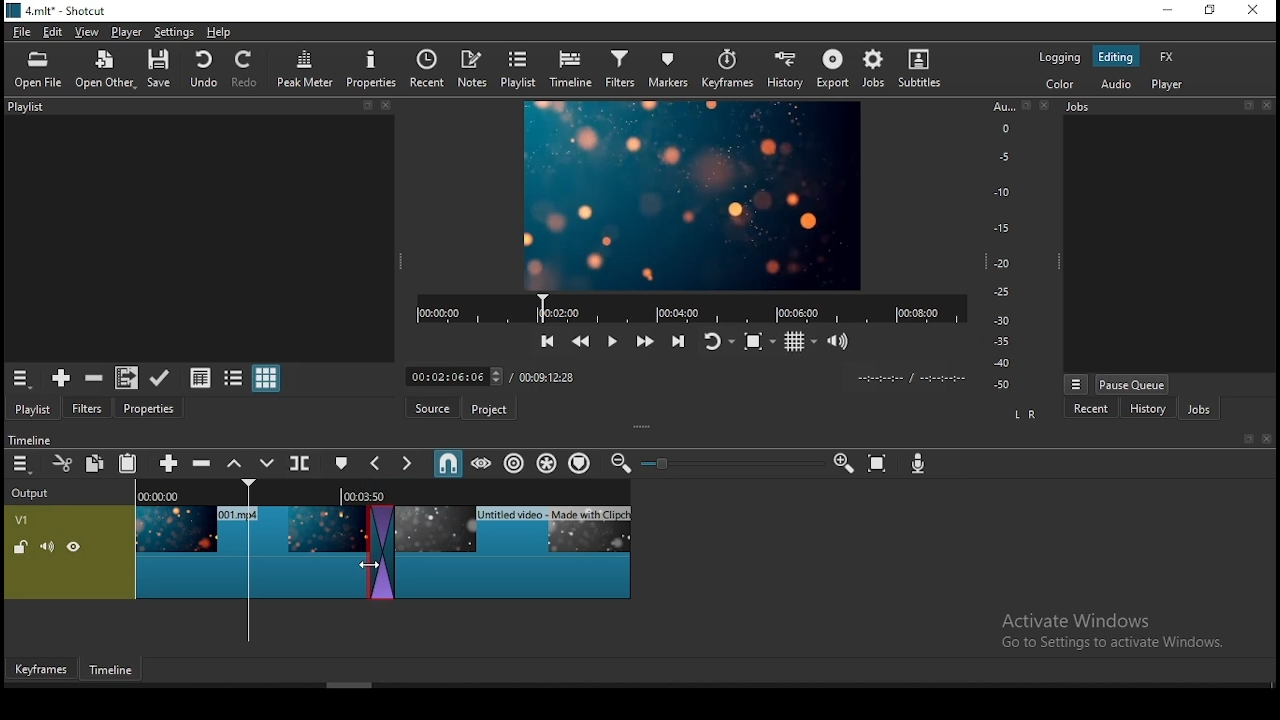 This screenshot has width=1280, height=720. What do you see at coordinates (369, 565) in the screenshot?
I see `mouse pointer` at bounding box center [369, 565].